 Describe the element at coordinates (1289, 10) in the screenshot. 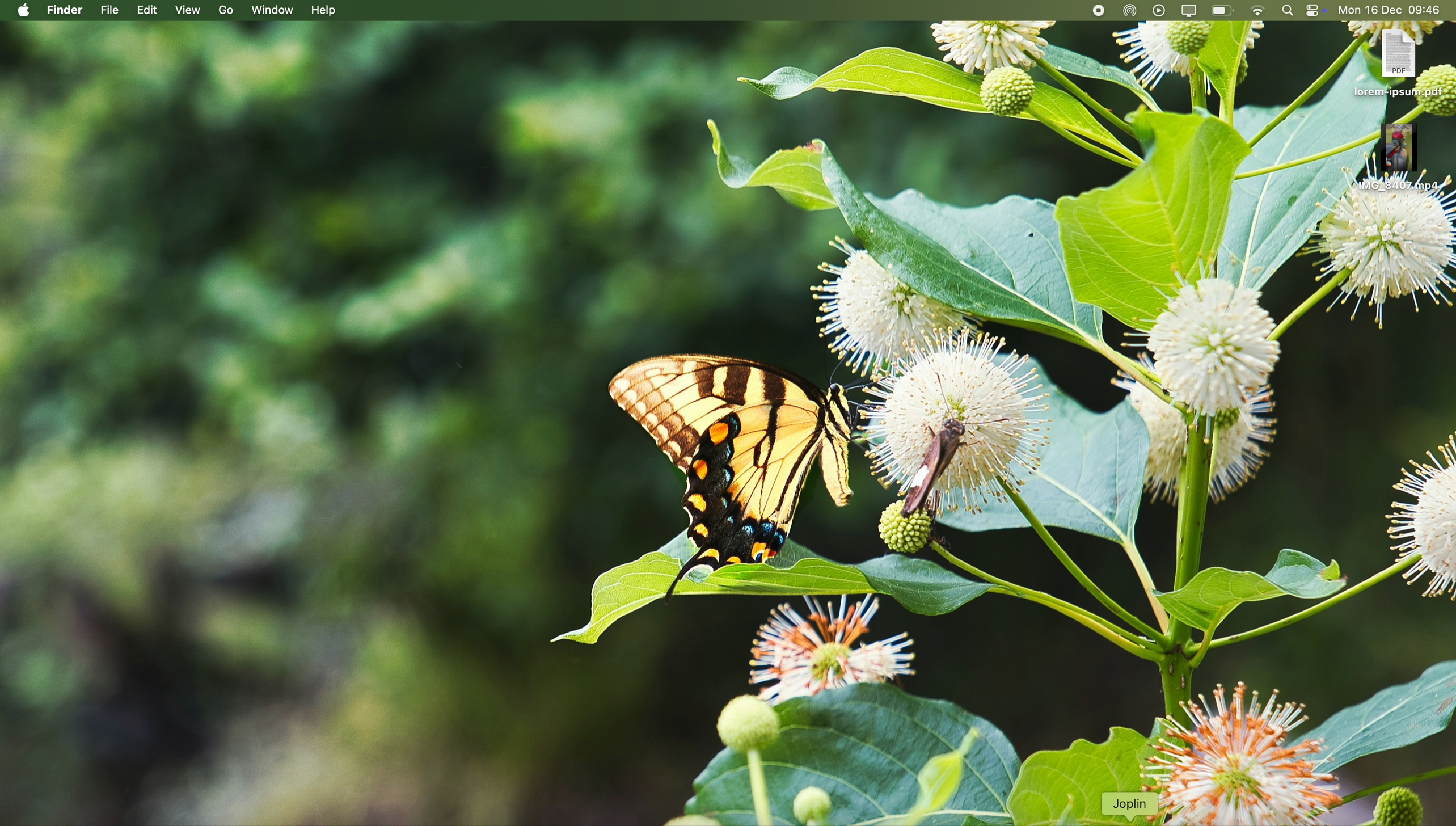

I see `spotlight search` at that location.